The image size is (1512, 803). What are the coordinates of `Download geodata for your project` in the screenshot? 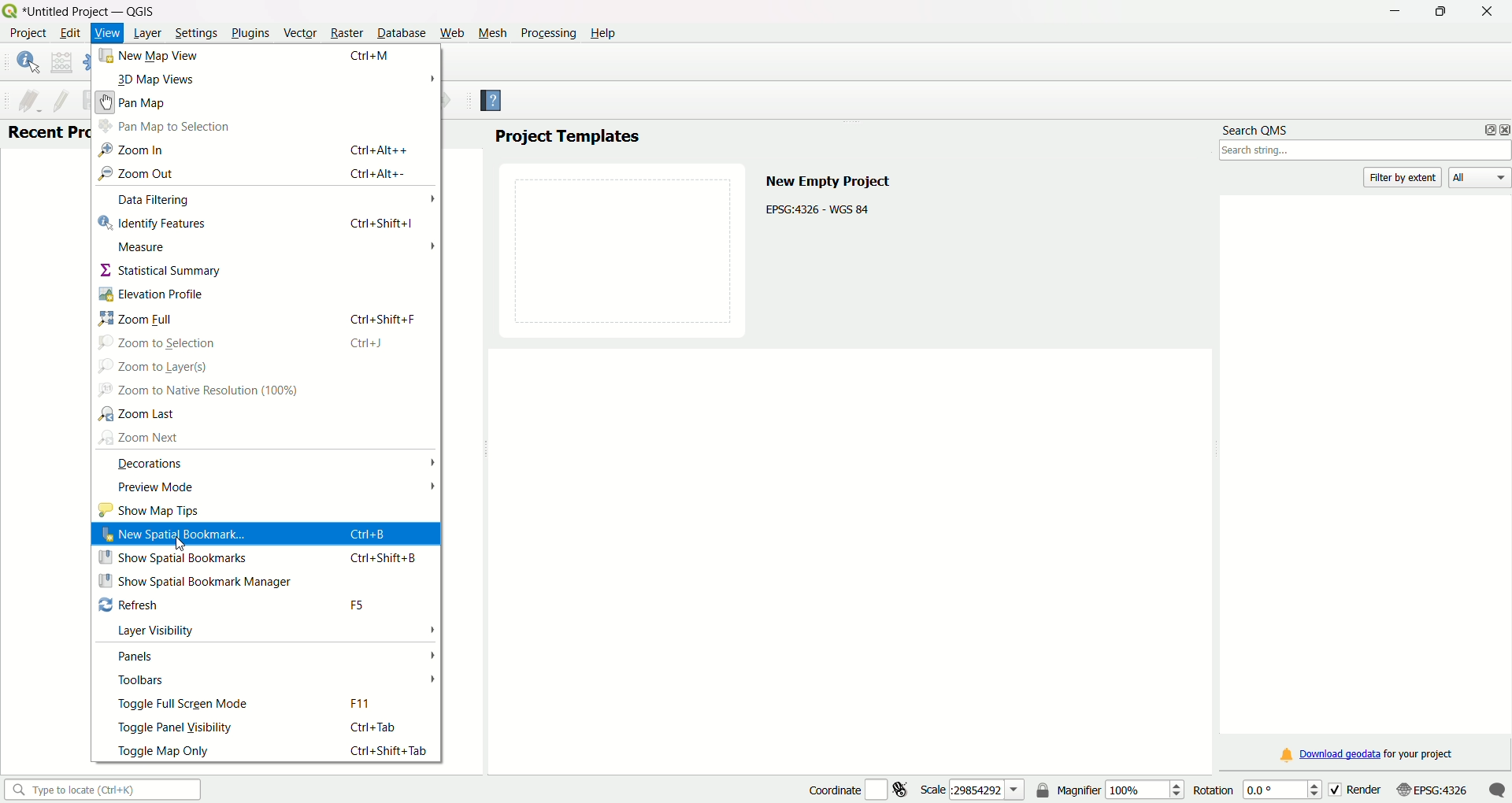 It's located at (1368, 756).